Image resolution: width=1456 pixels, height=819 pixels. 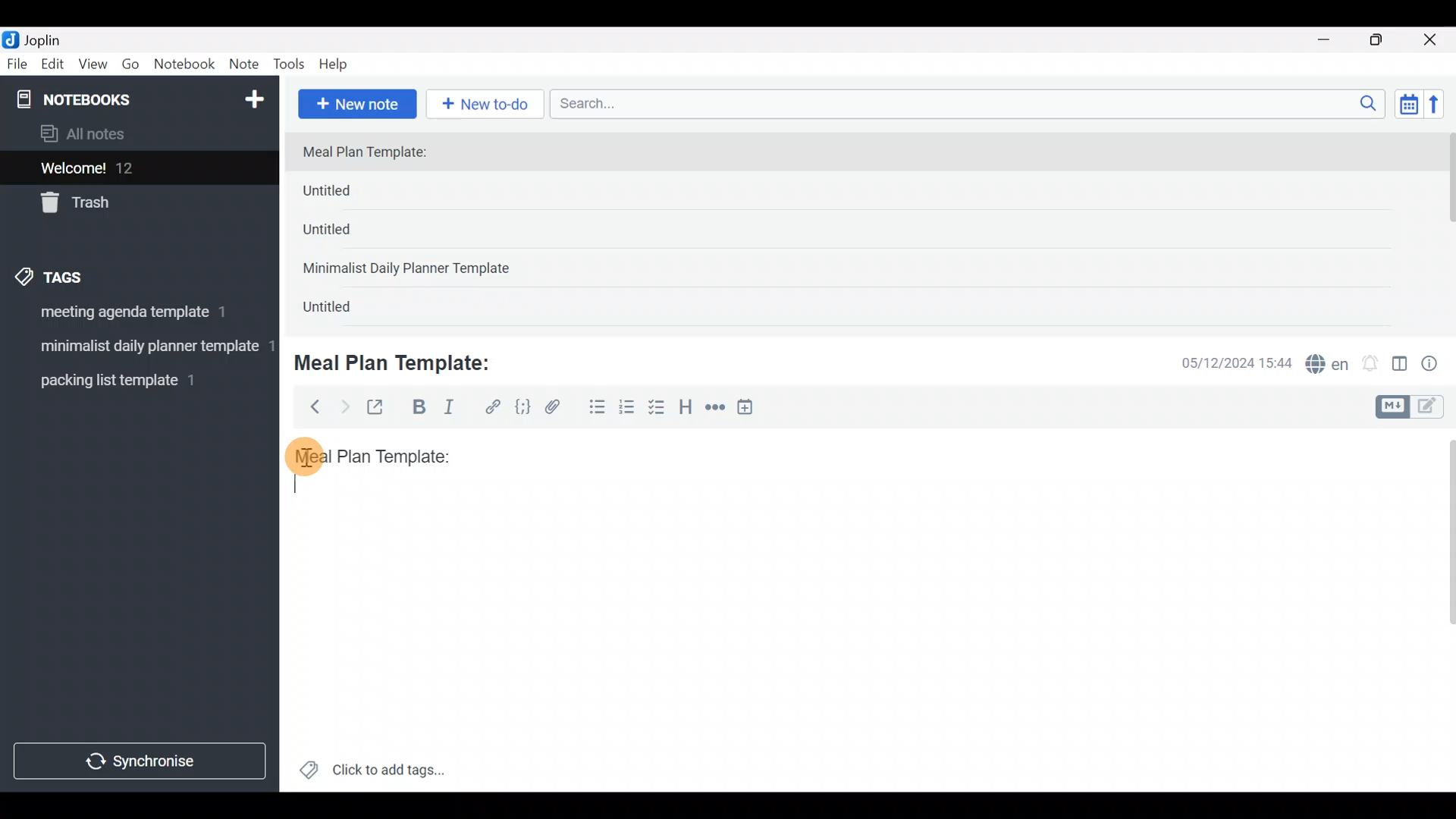 I want to click on Tools, so click(x=290, y=65).